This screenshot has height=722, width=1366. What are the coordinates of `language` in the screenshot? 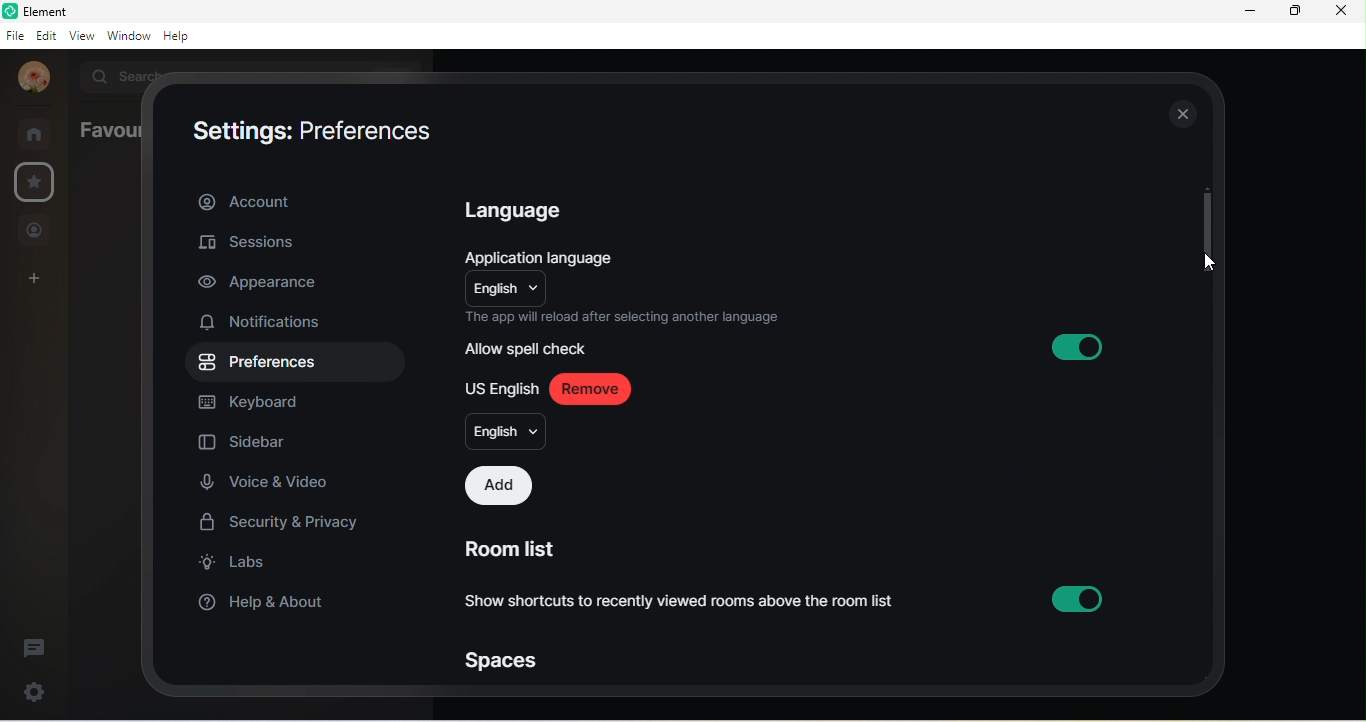 It's located at (523, 212).